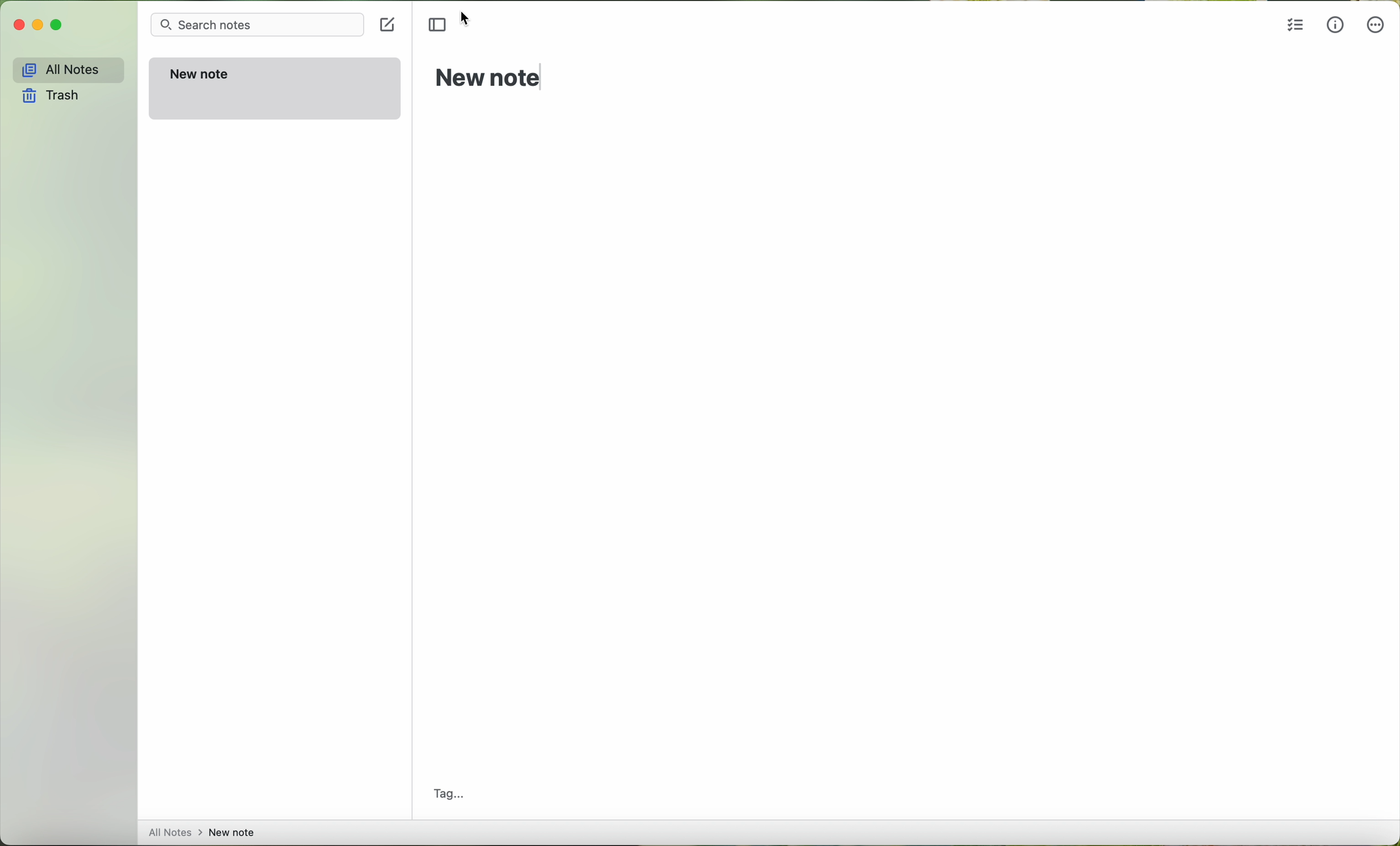 Image resolution: width=1400 pixels, height=846 pixels. Describe the element at coordinates (67, 69) in the screenshot. I see `all notes` at that location.